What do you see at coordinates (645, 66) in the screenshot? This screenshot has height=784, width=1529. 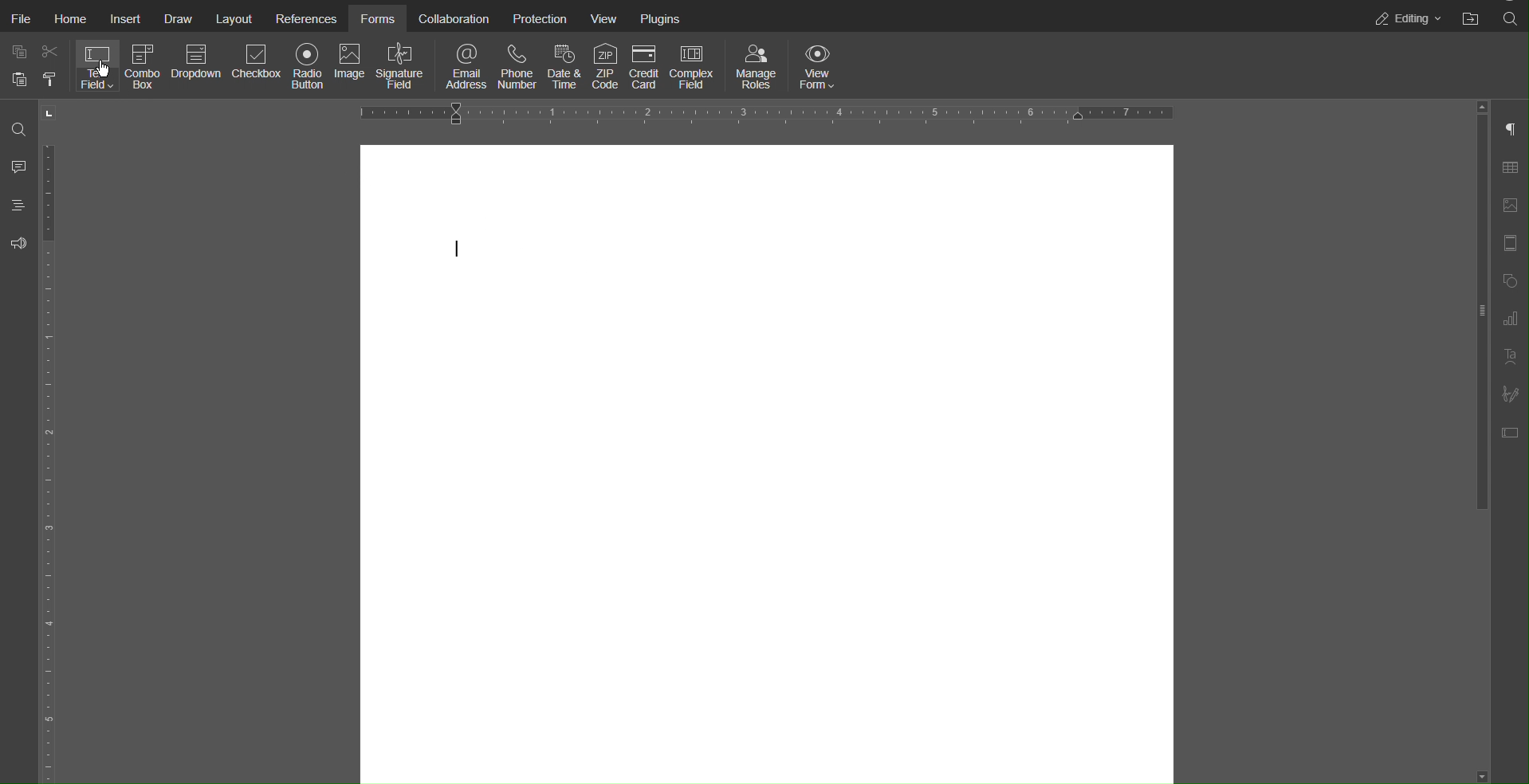 I see `Credit Card` at bounding box center [645, 66].